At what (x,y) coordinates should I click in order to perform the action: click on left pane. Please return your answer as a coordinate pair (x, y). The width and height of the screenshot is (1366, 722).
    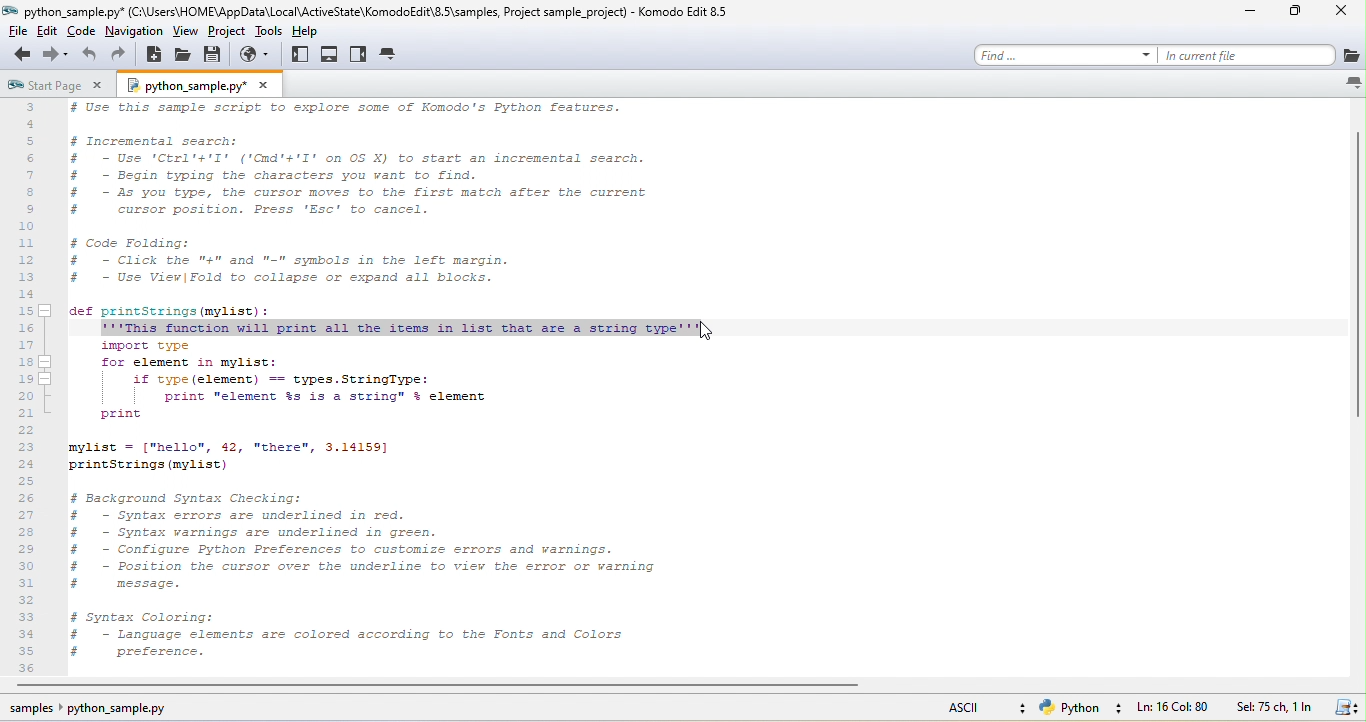
    Looking at the image, I should click on (299, 60).